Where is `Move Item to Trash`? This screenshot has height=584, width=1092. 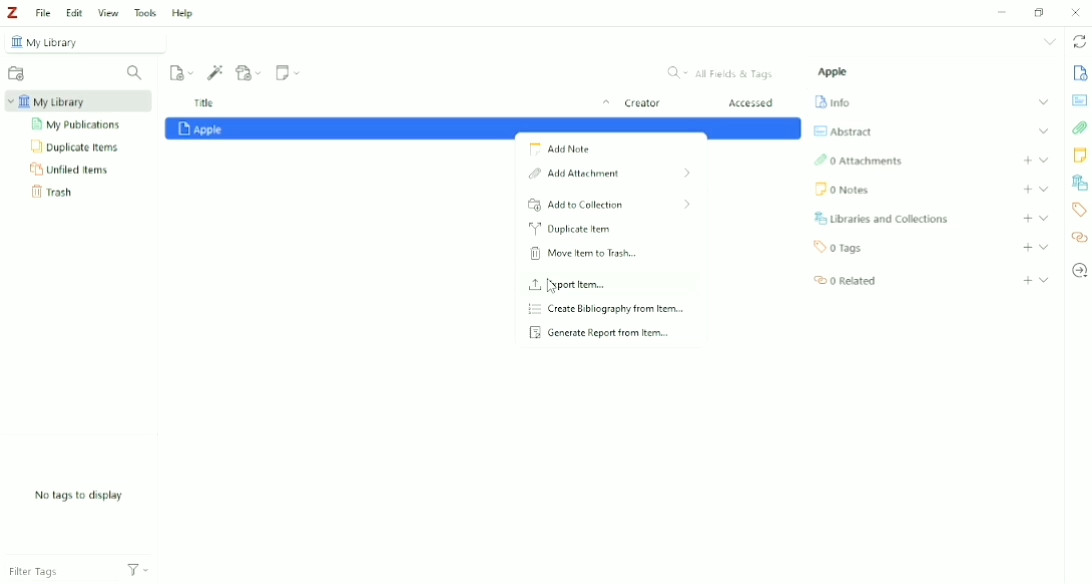 Move Item to Trash is located at coordinates (584, 254).